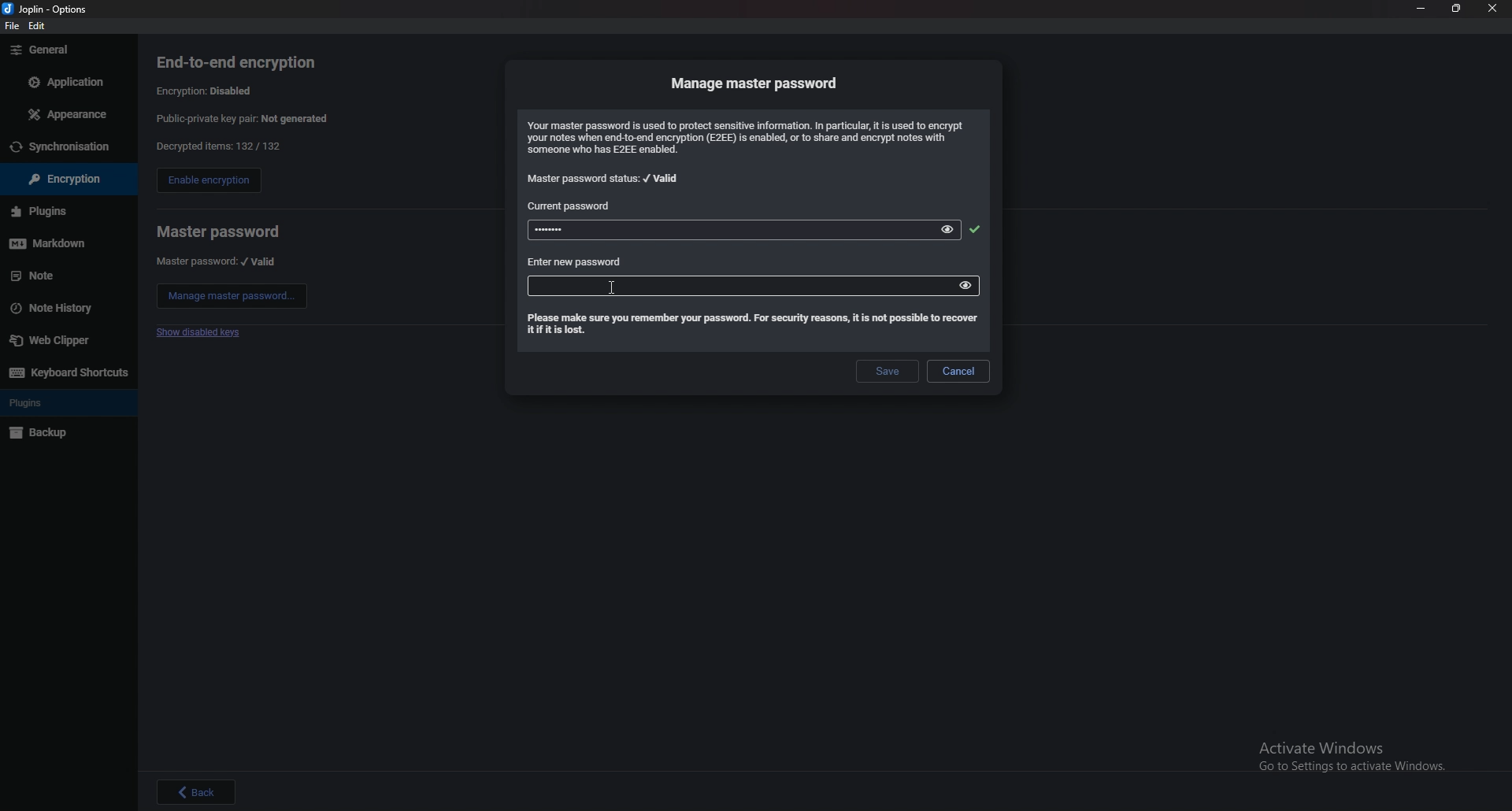  What do you see at coordinates (949, 229) in the screenshot?
I see `view` at bounding box center [949, 229].